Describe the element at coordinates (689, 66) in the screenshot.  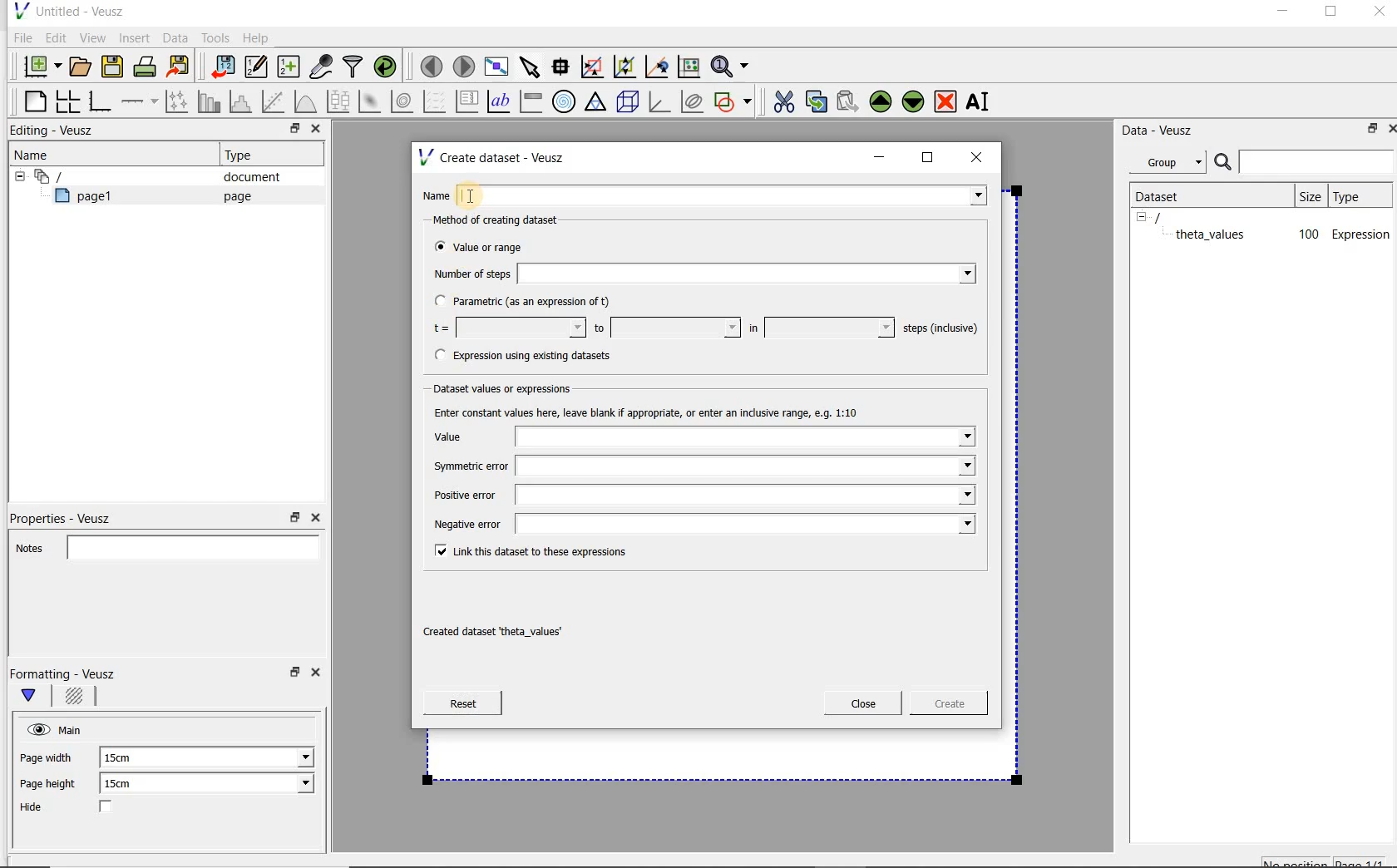
I see `click to reset graph axes` at that location.